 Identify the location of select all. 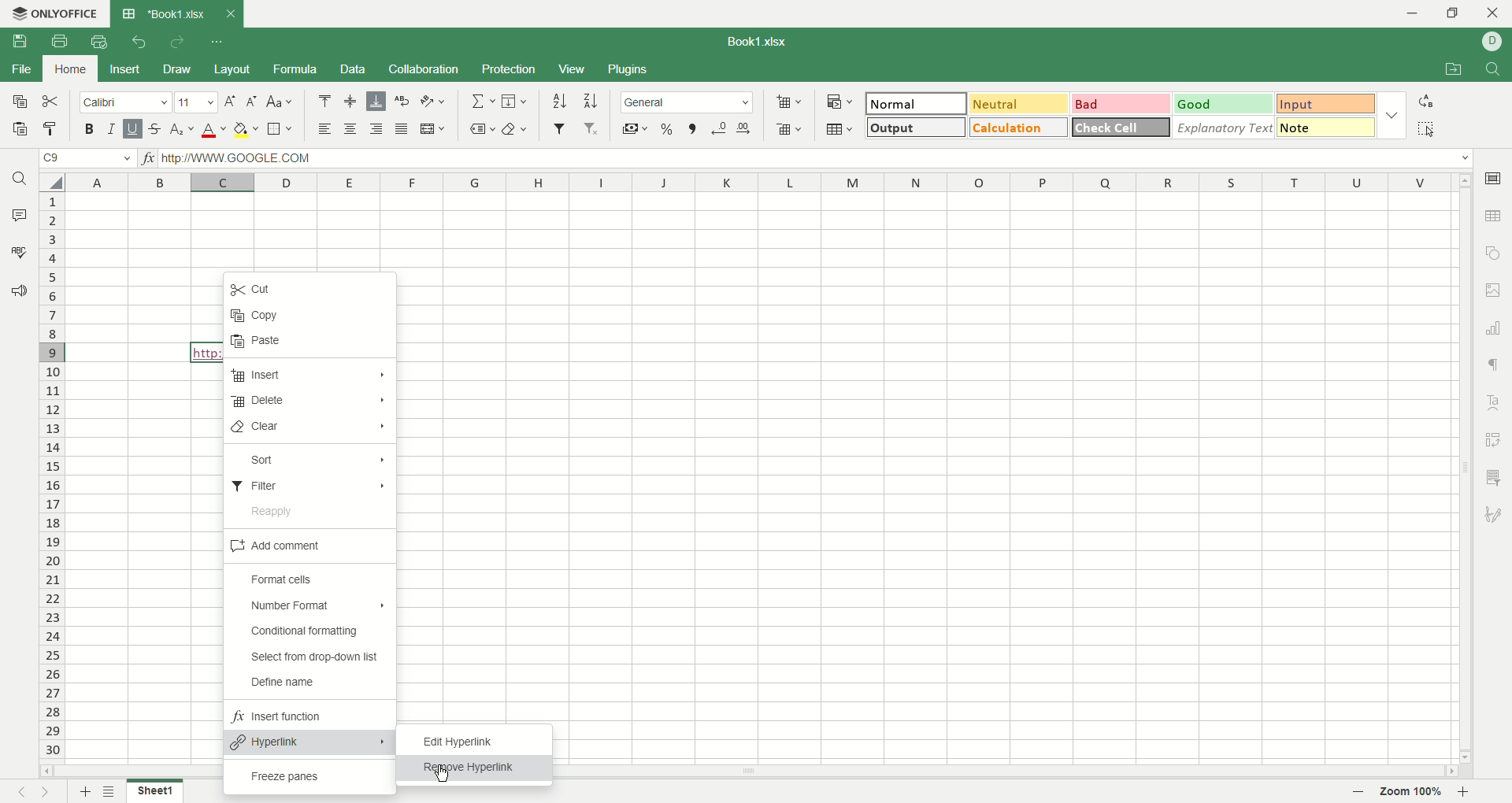
(1429, 129).